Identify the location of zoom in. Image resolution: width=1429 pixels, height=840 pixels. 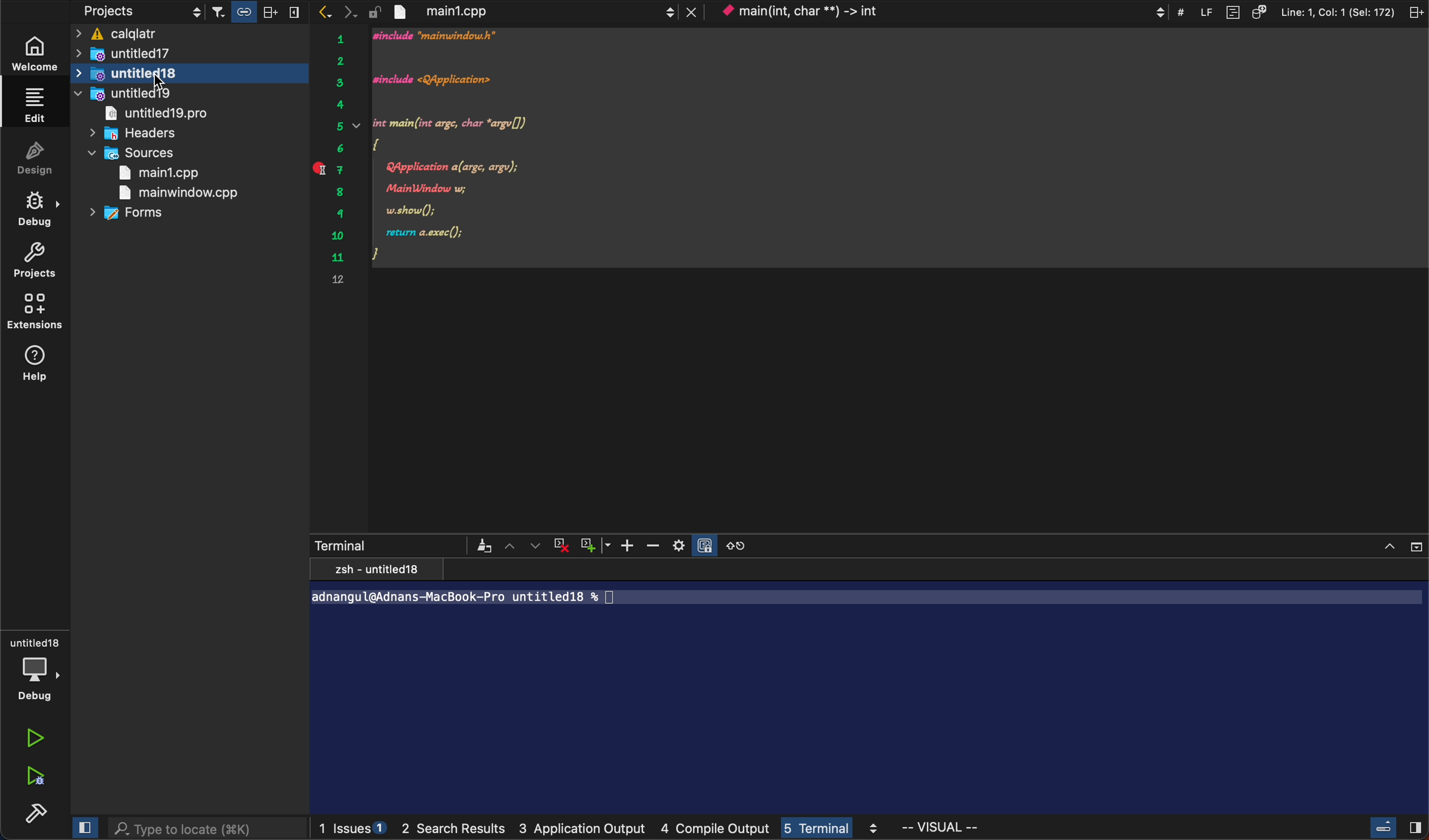
(625, 544).